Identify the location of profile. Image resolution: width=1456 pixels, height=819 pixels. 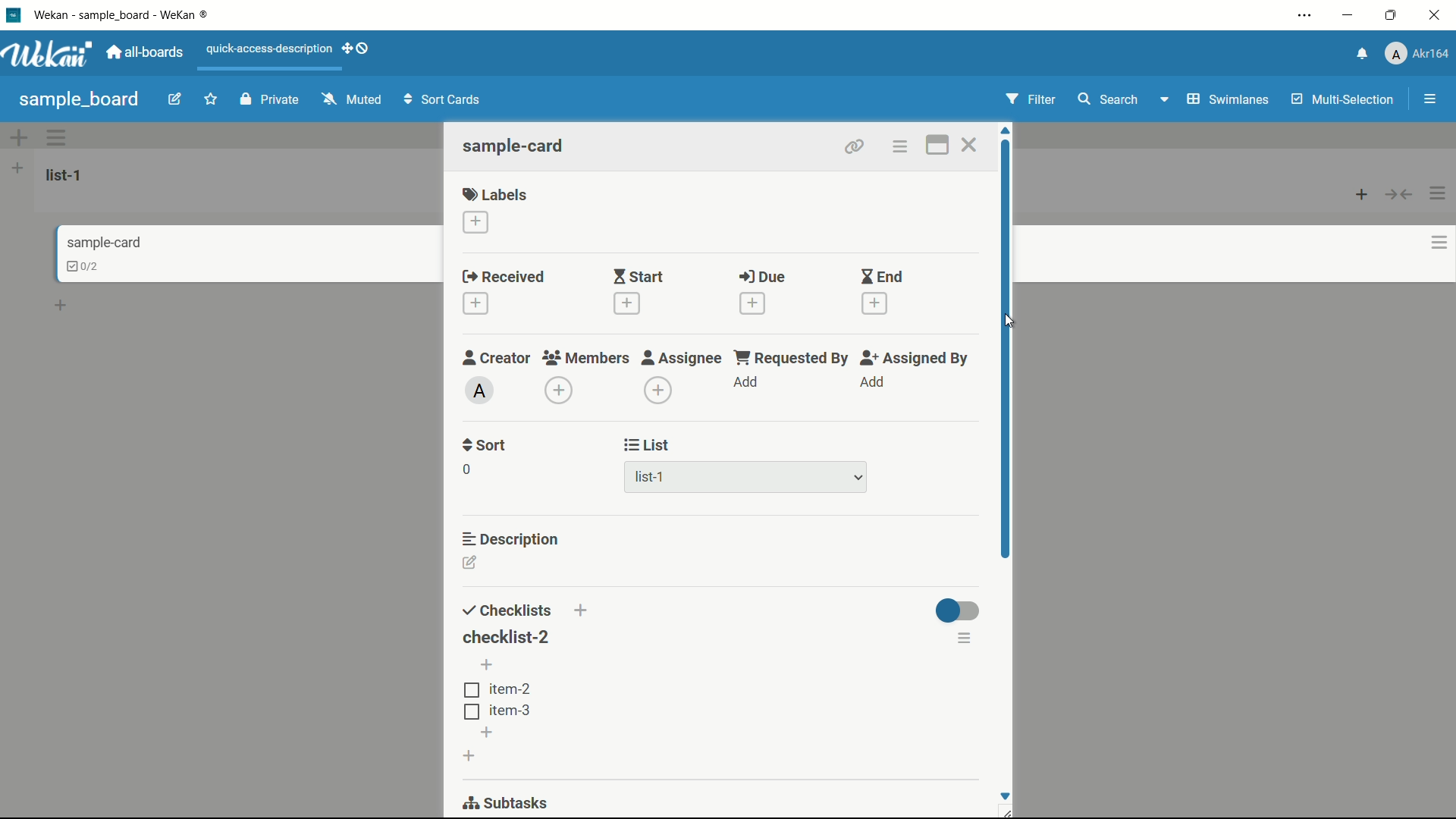
(1420, 54).